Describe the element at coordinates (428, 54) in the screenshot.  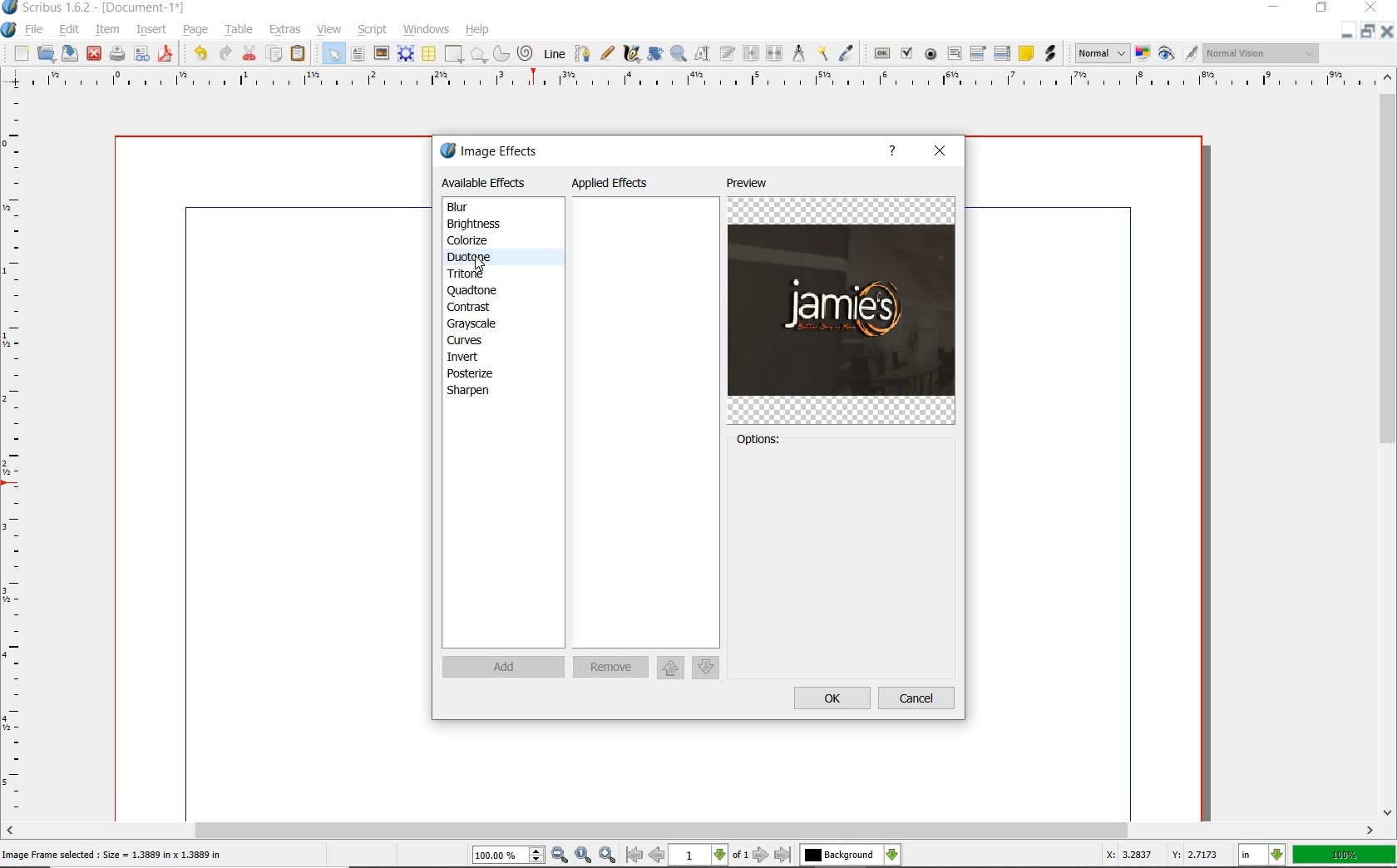
I see `TABLE` at that location.